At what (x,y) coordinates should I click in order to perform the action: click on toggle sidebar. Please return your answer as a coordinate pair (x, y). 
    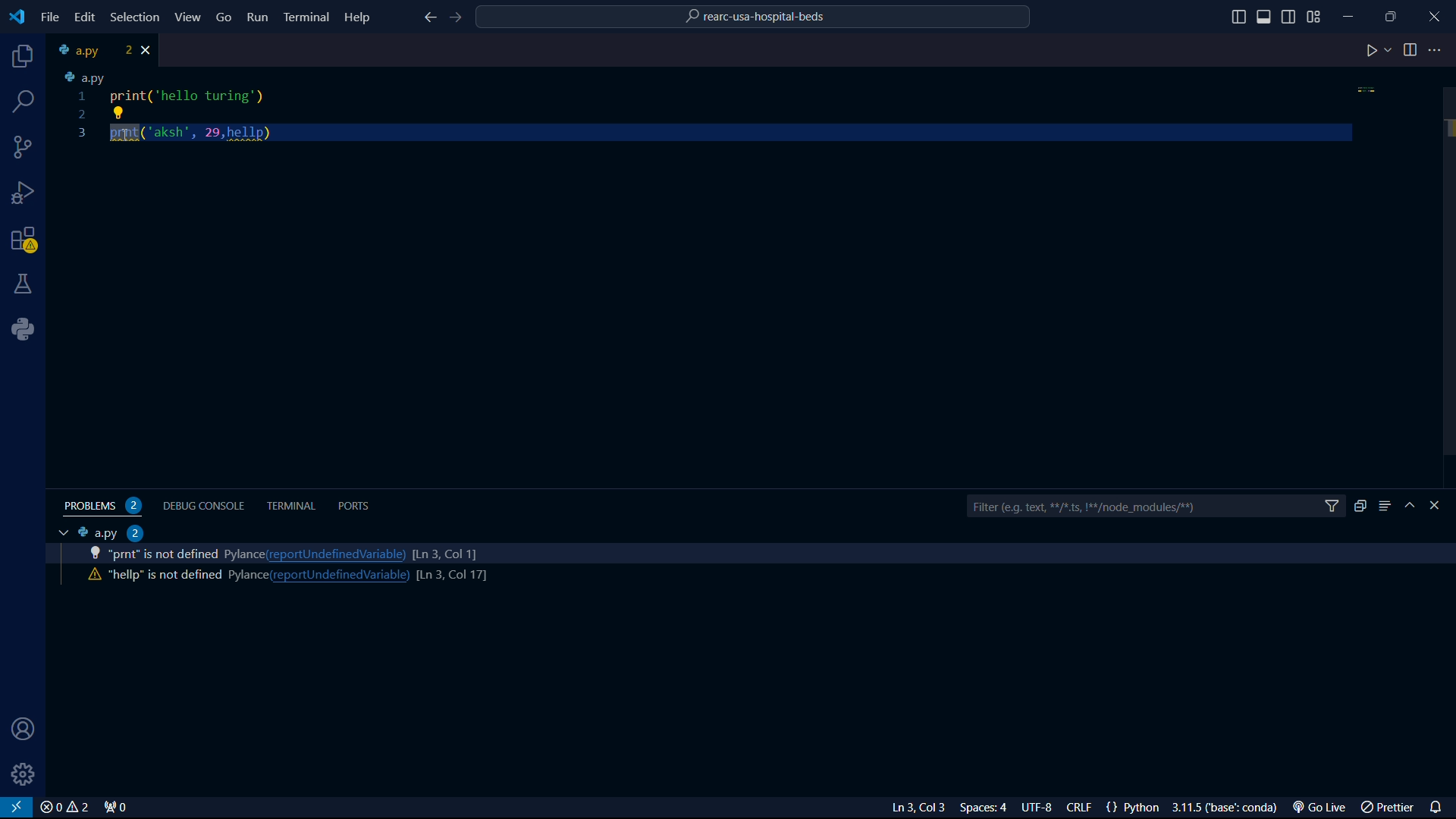
    Looking at the image, I should click on (1290, 15).